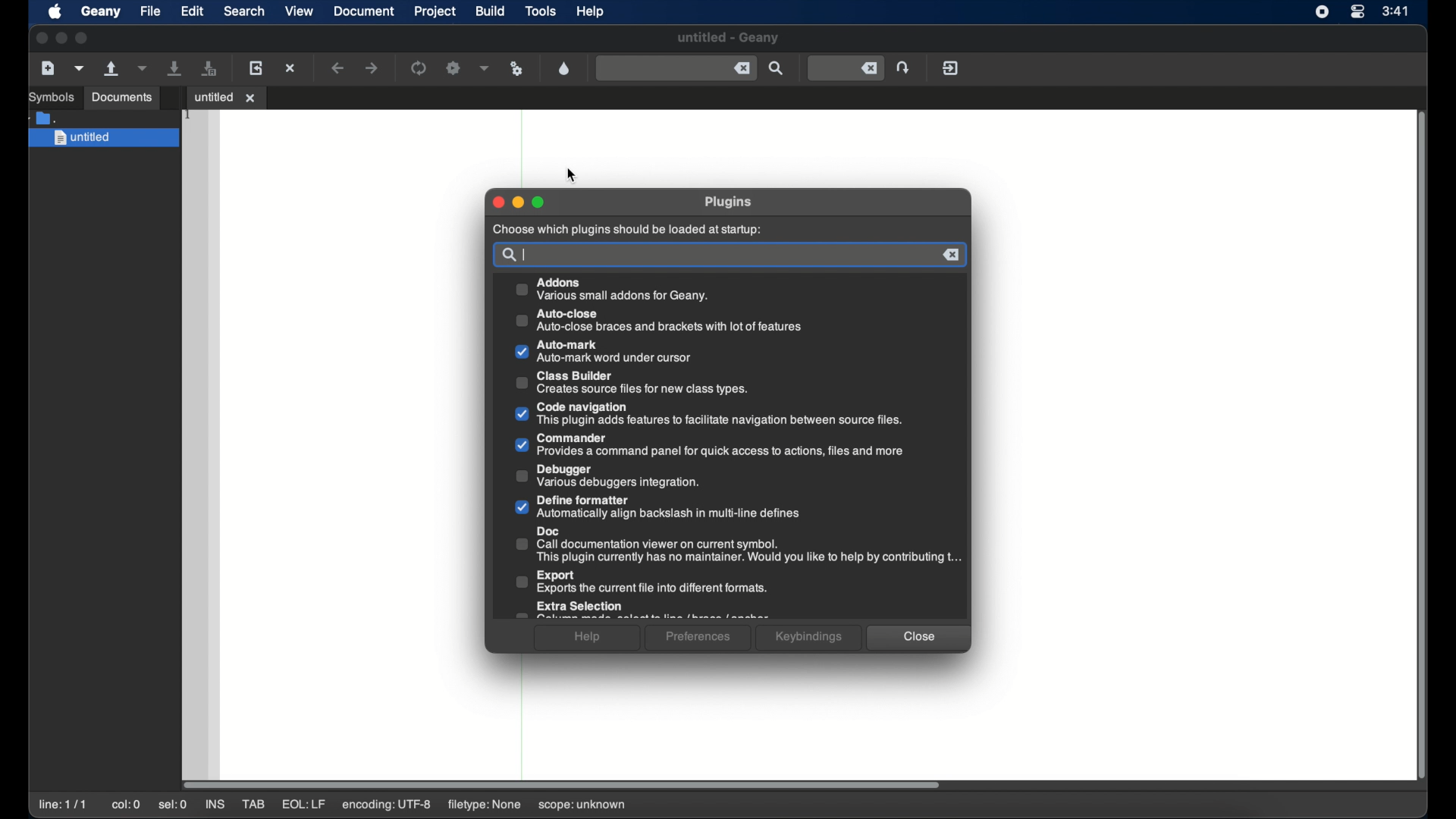  What do you see at coordinates (61, 38) in the screenshot?
I see `minimize` at bounding box center [61, 38].